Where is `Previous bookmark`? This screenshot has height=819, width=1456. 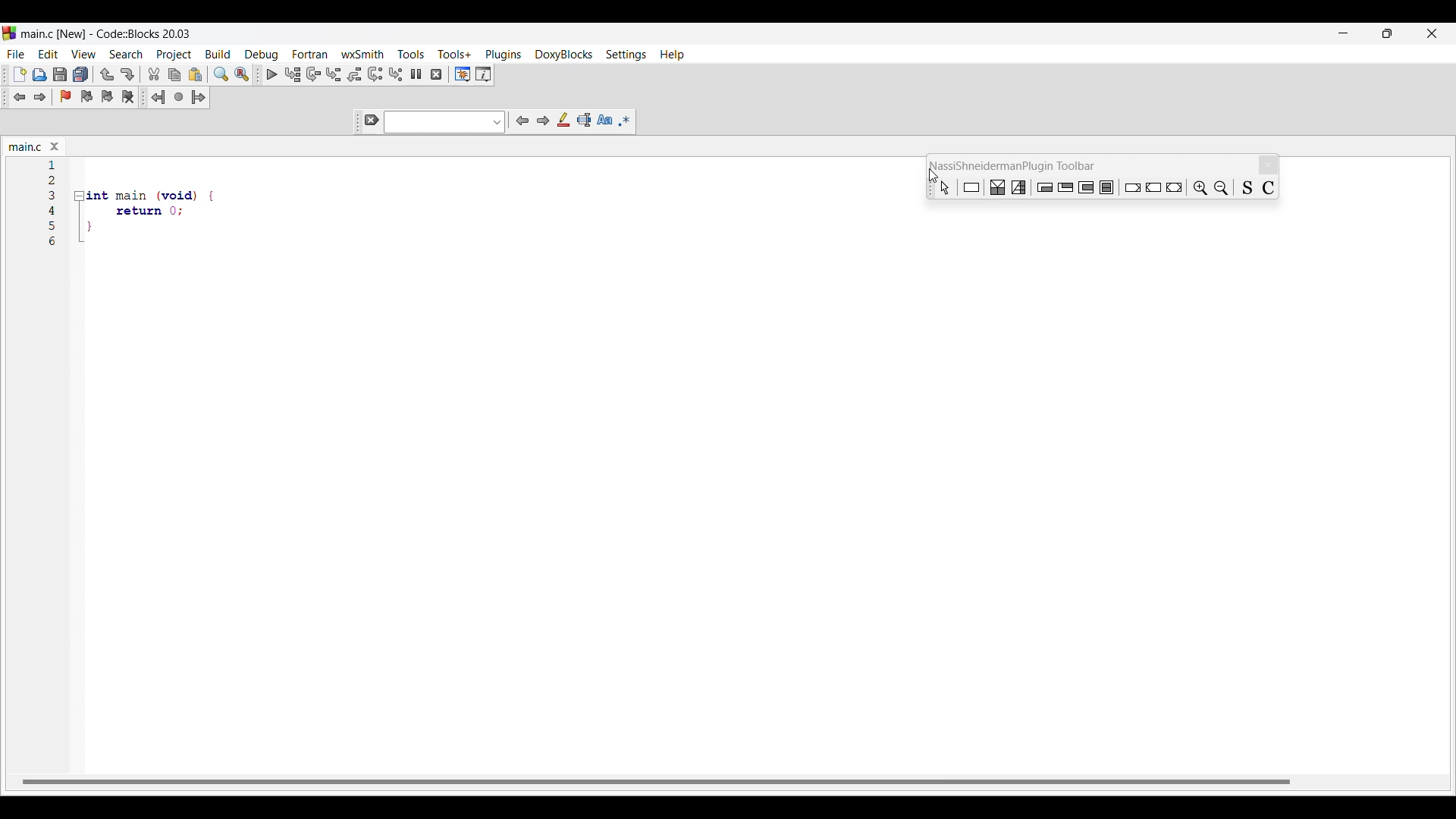 Previous bookmark is located at coordinates (87, 96).